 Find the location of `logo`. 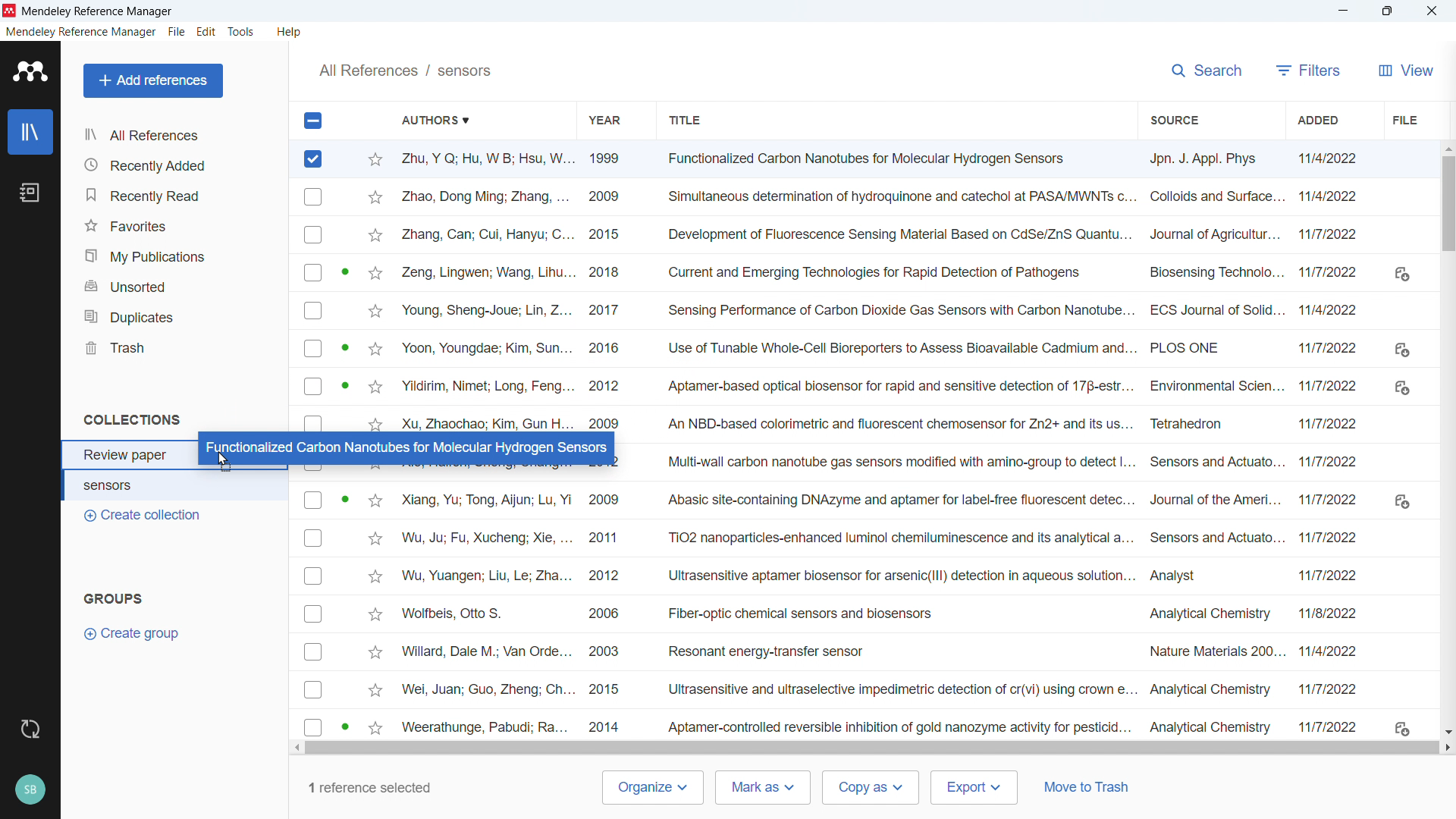

logo is located at coordinates (10, 11).